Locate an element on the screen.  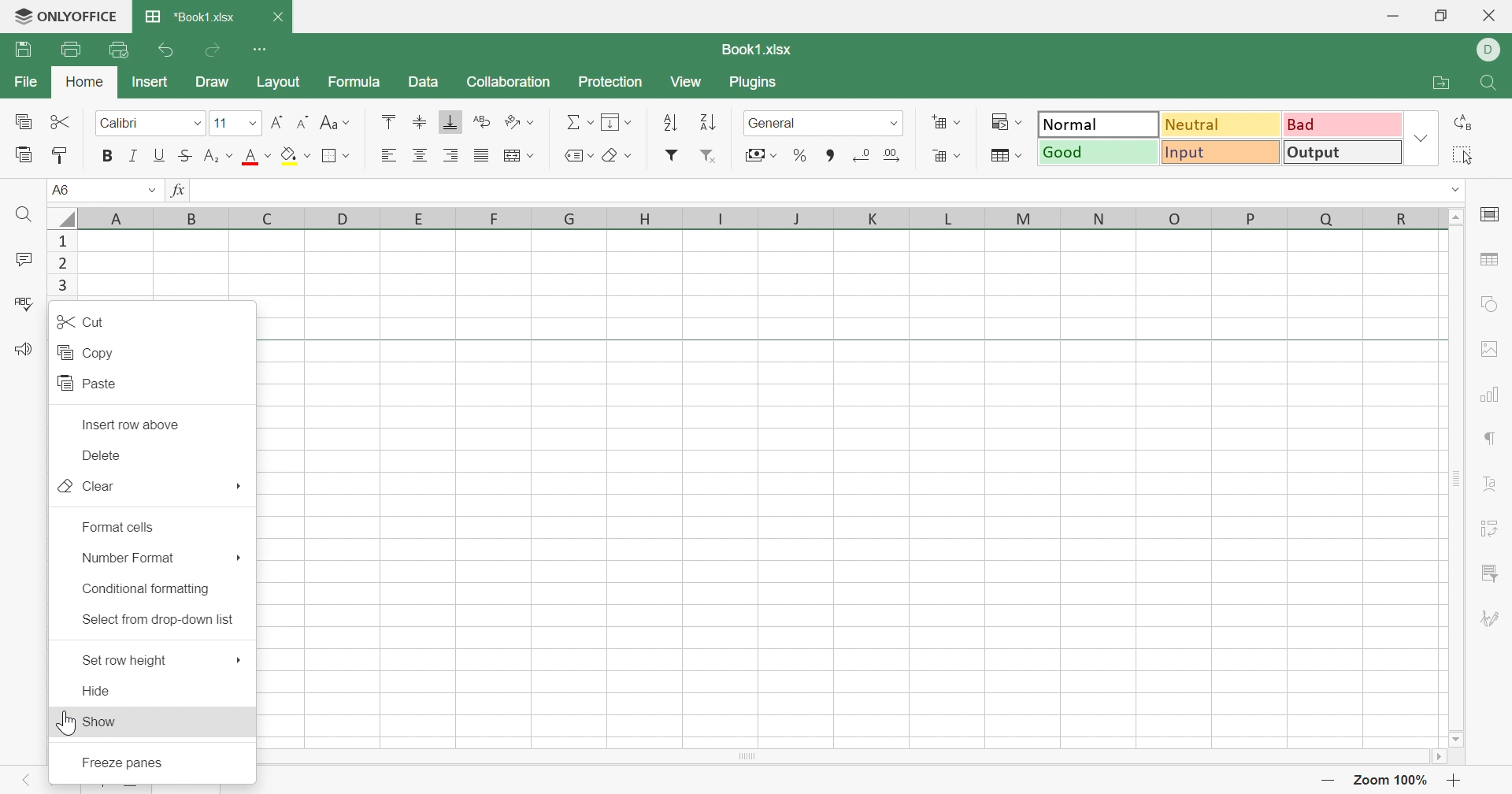
*Book1.xlsx is located at coordinates (190, 14).